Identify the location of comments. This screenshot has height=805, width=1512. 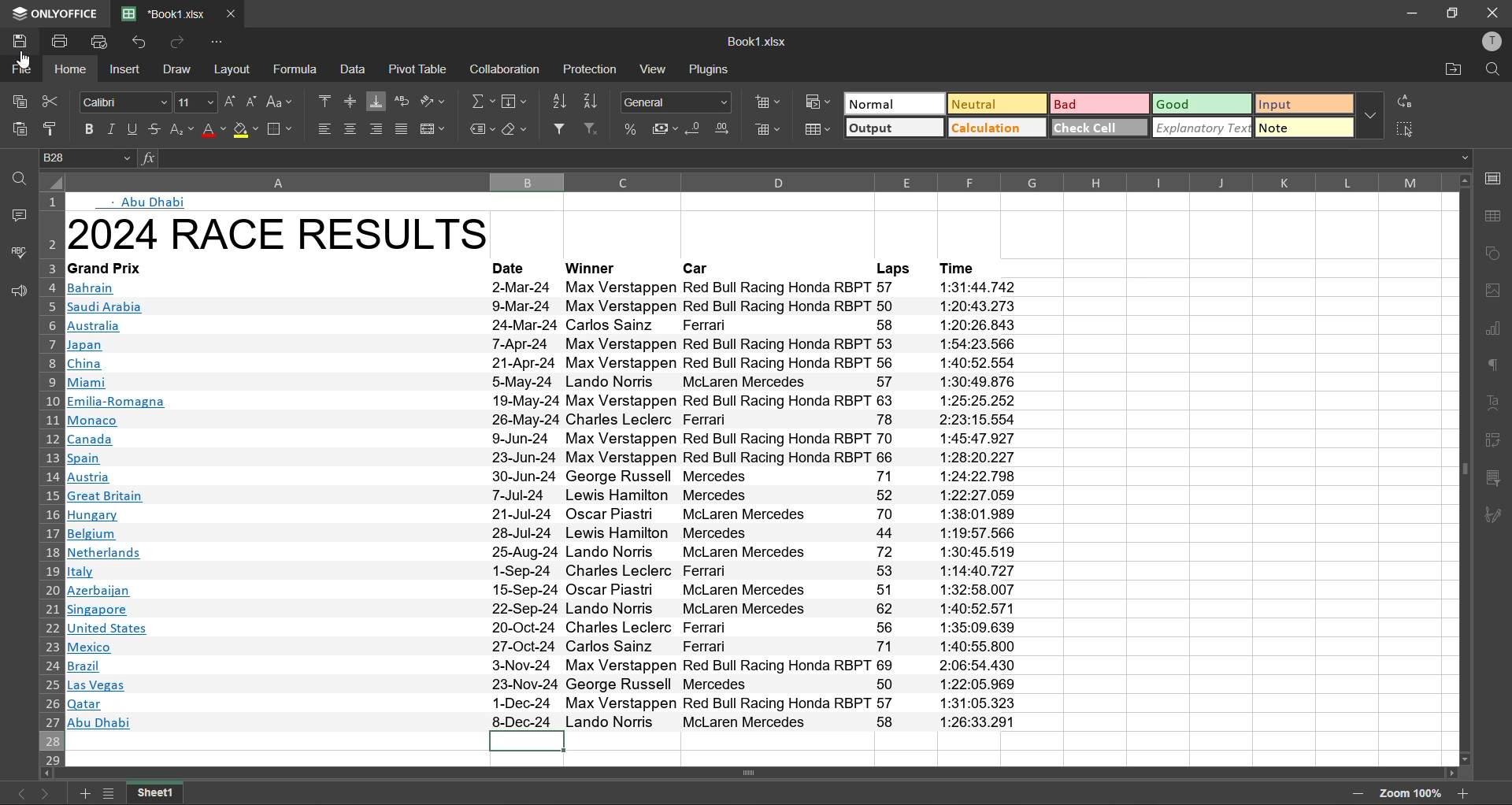
(18, 218).